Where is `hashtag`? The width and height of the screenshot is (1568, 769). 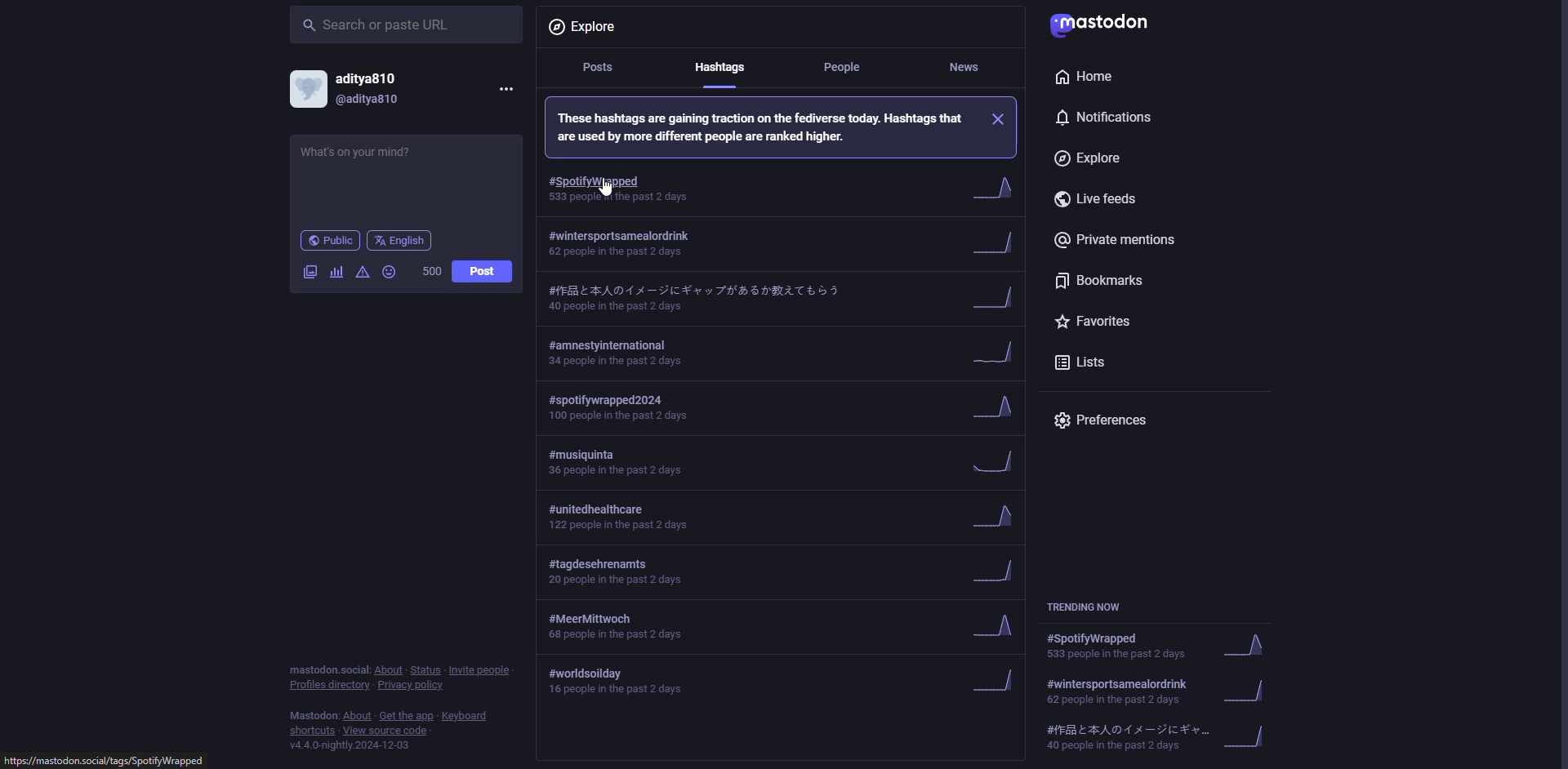
hashtag is located at coordinates (648, 356).